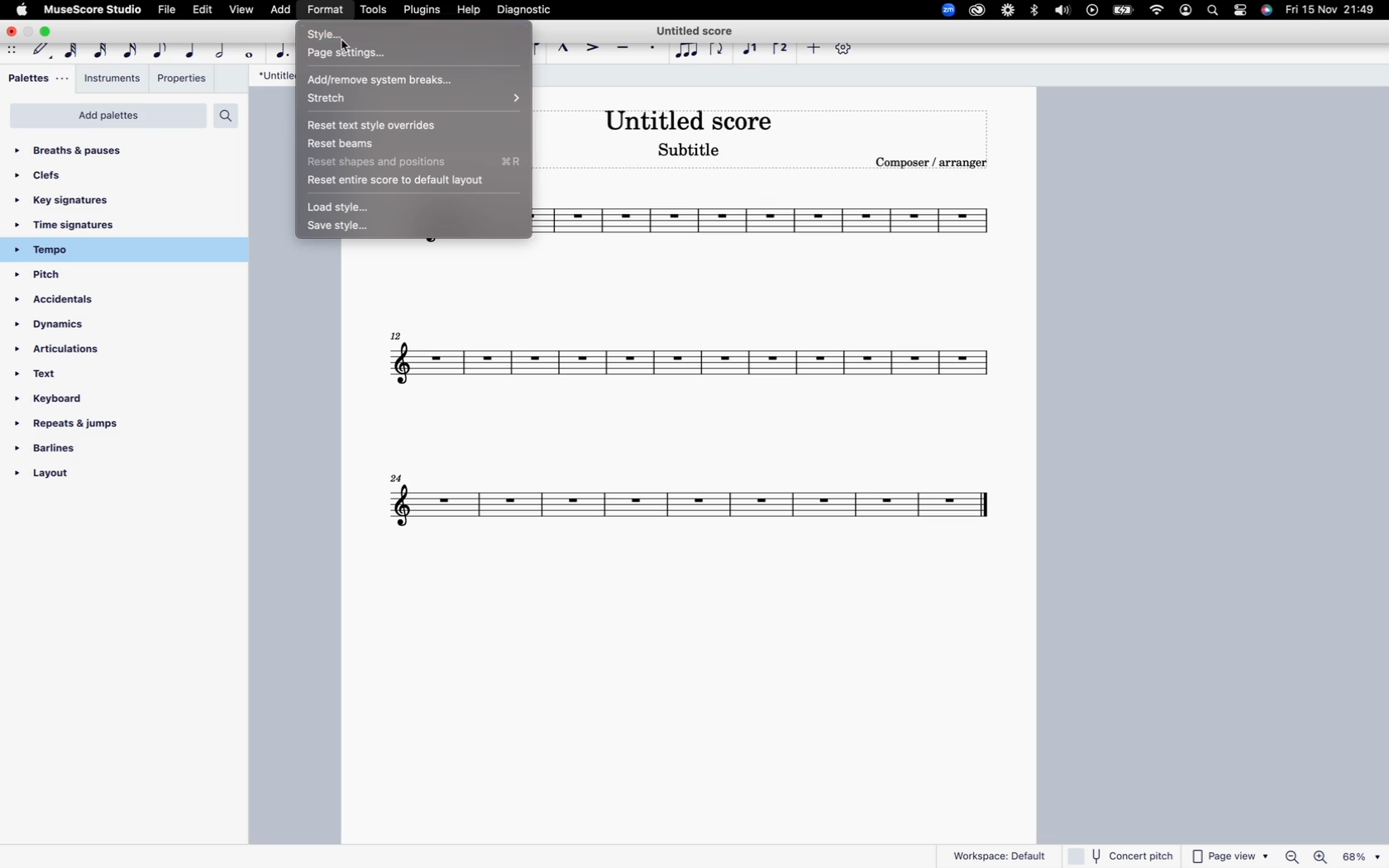  Describe the element at coordinates (83, 147) in the screenshot. I see `breaths & pauses` at that location.